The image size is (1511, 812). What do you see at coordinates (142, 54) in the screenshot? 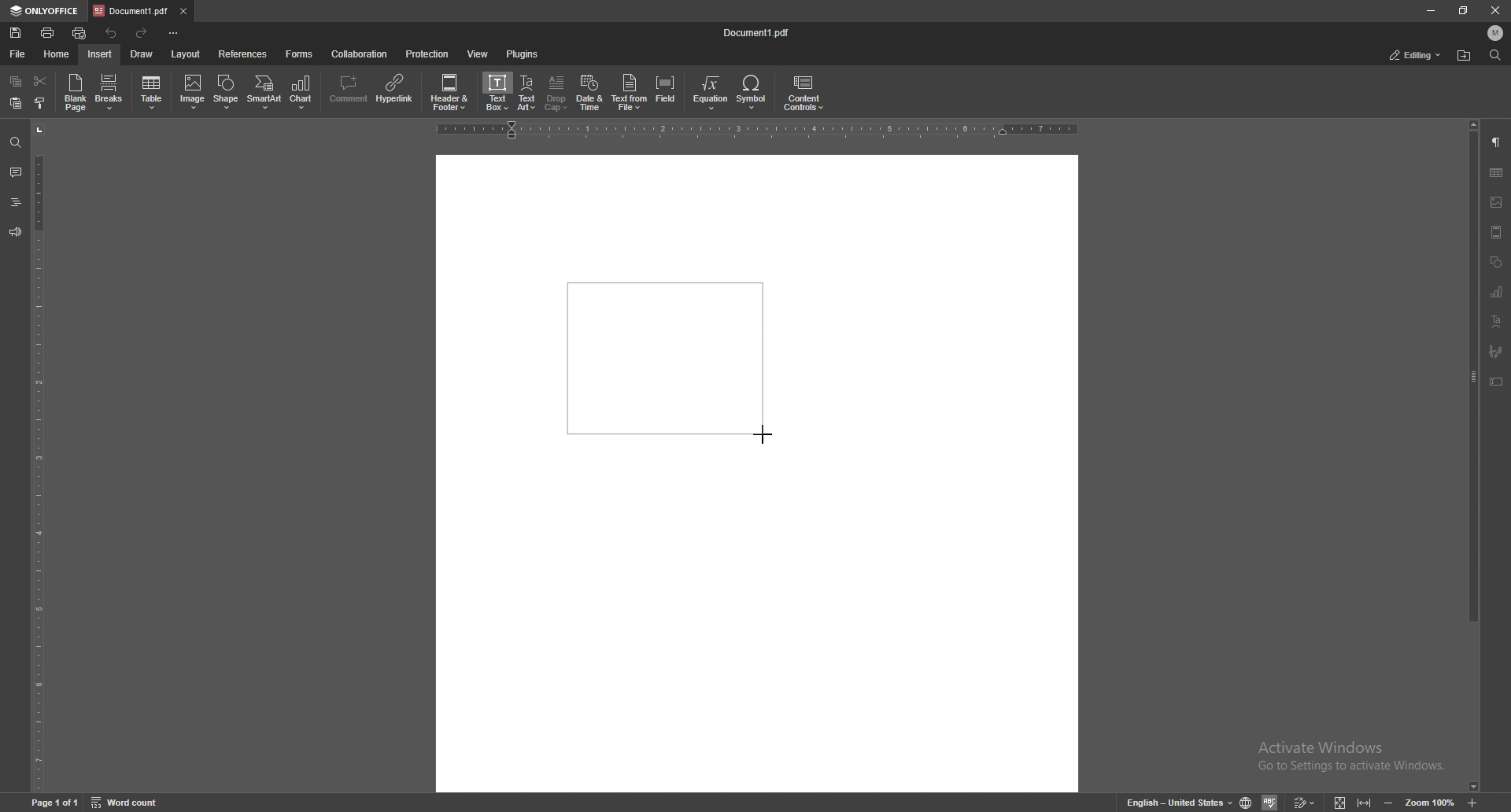
I see `draw` at bounding box center [142, 54].